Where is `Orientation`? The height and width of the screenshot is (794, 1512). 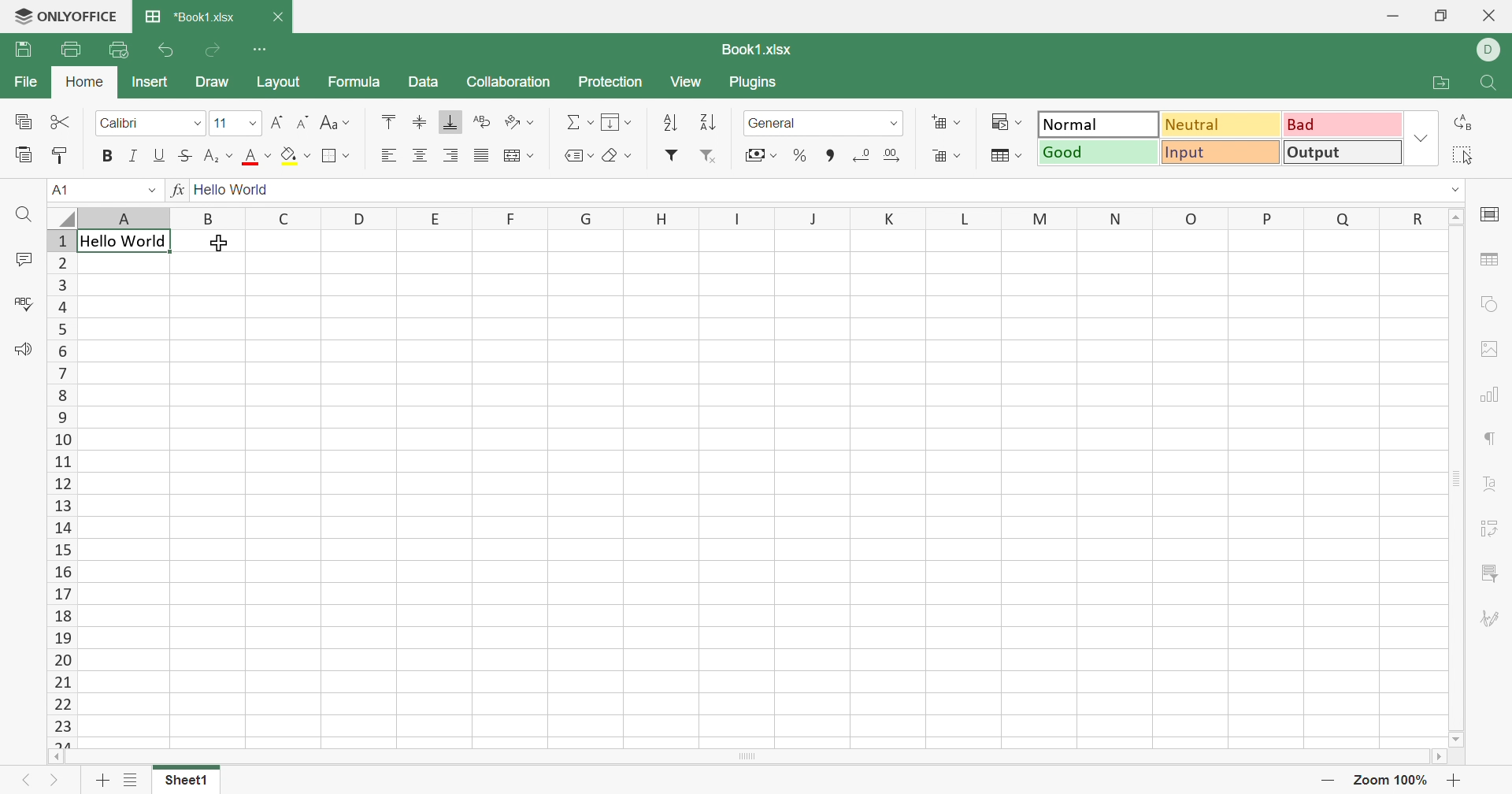 Orientation is located at coordinates (518, 124).